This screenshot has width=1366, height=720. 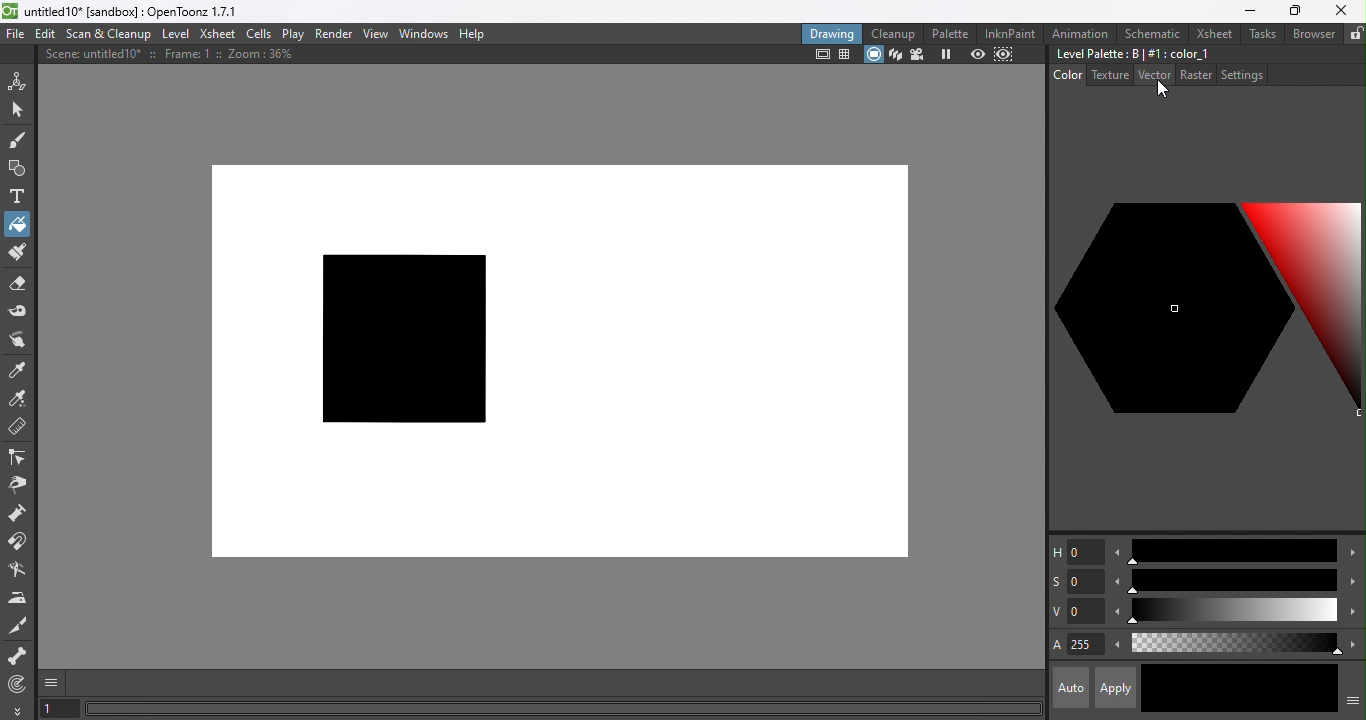 I want to click on Play, so click(x=292, y=33).